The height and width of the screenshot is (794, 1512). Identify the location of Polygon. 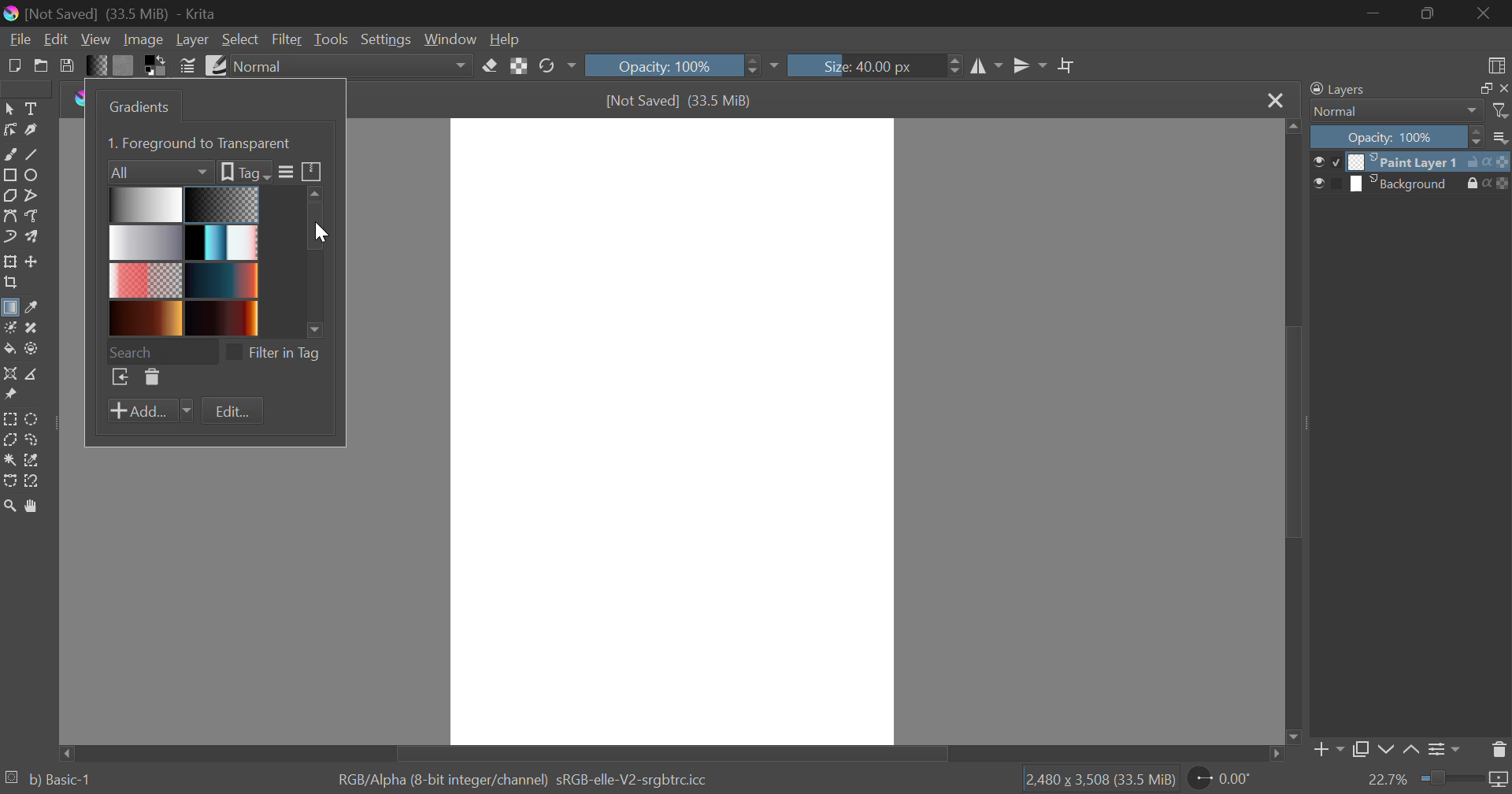
(9, 195).